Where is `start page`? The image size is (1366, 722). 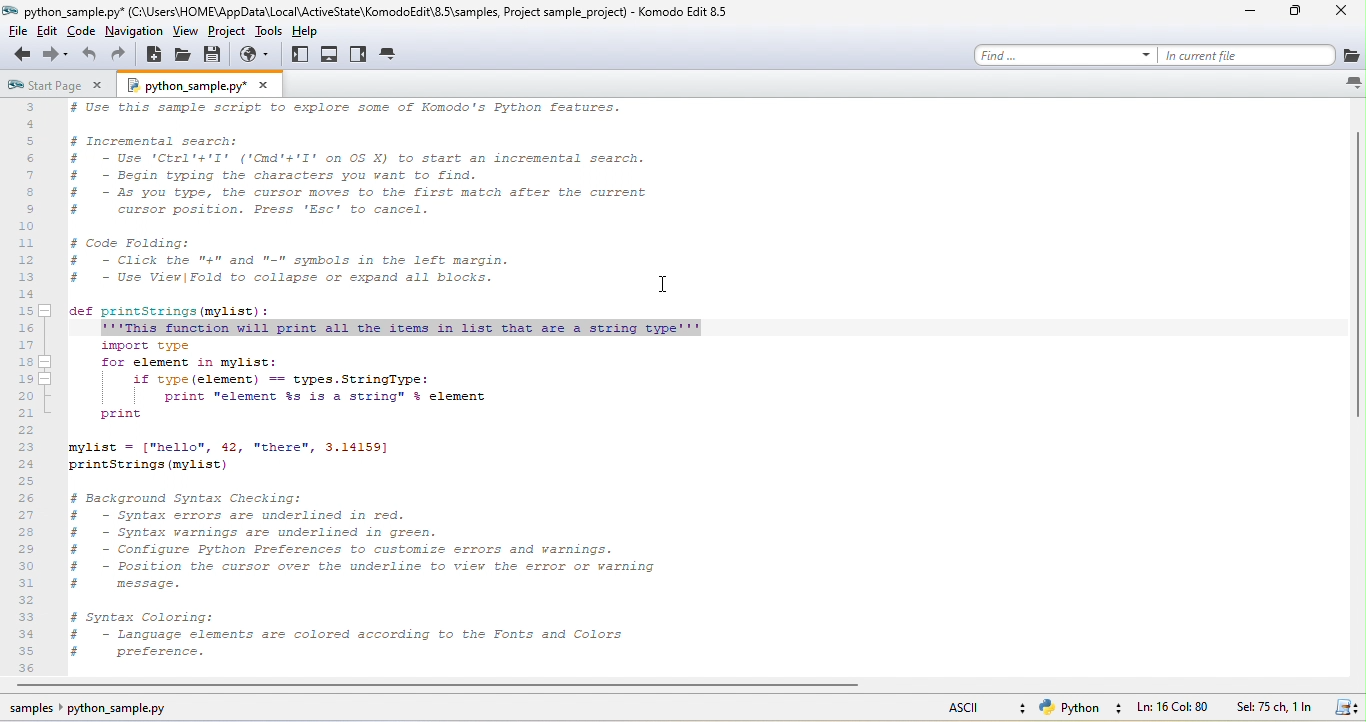
start page is located at coordinates (44, 85).